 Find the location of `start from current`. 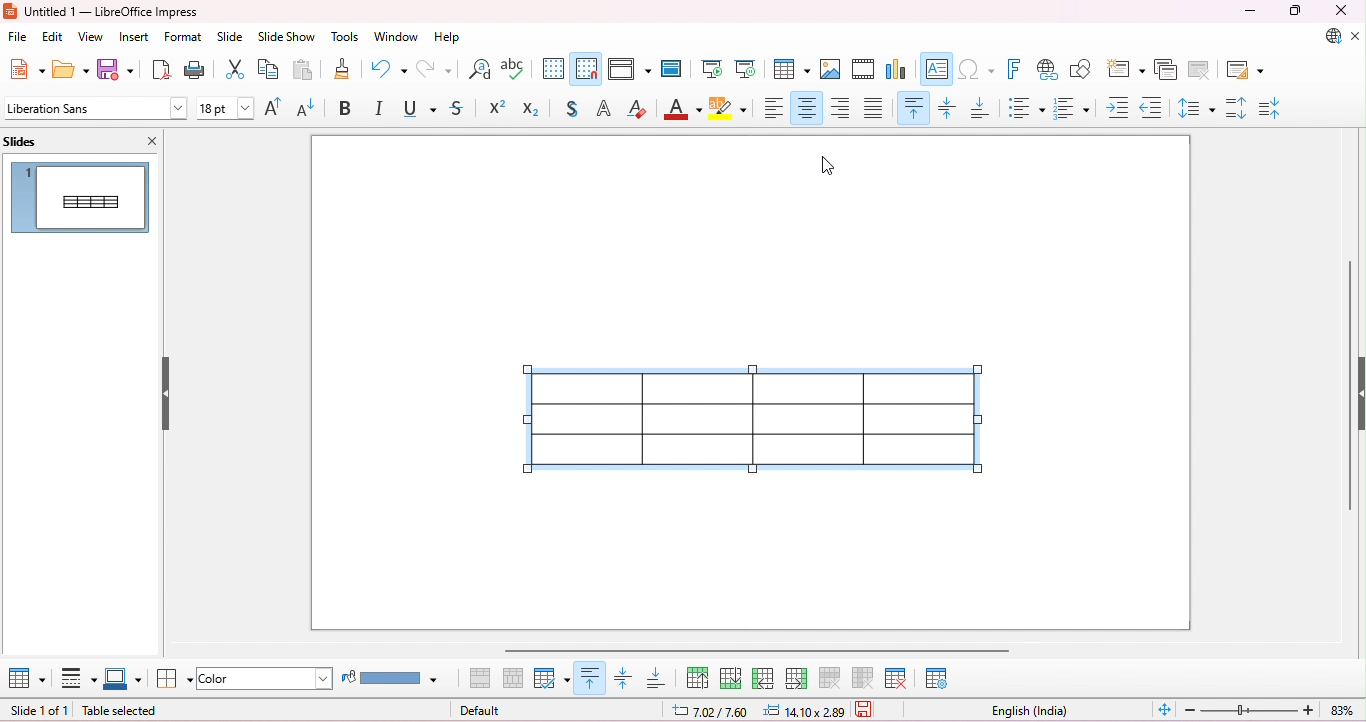

start from current is located at coordinates (747, 68).